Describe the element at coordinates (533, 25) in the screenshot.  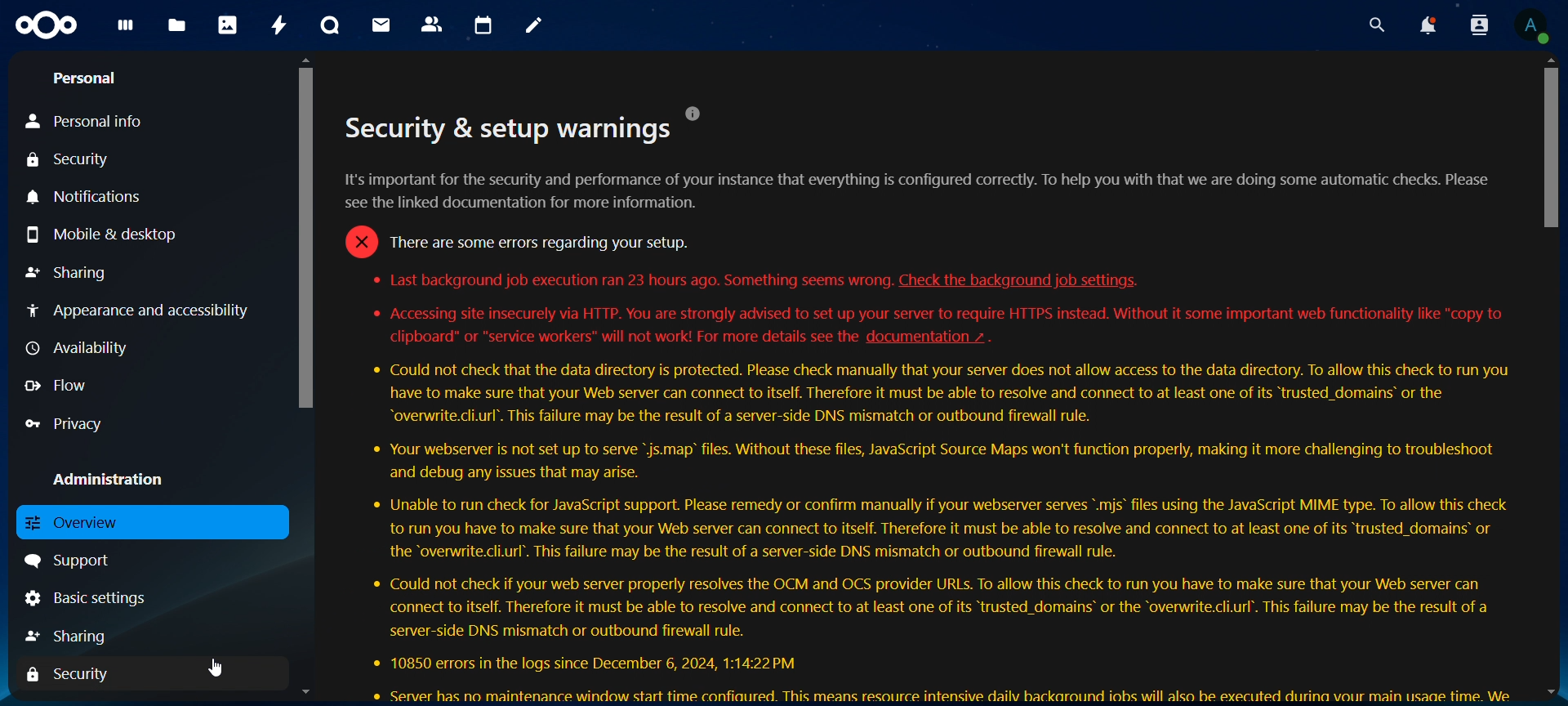
I see `notes` at that location.